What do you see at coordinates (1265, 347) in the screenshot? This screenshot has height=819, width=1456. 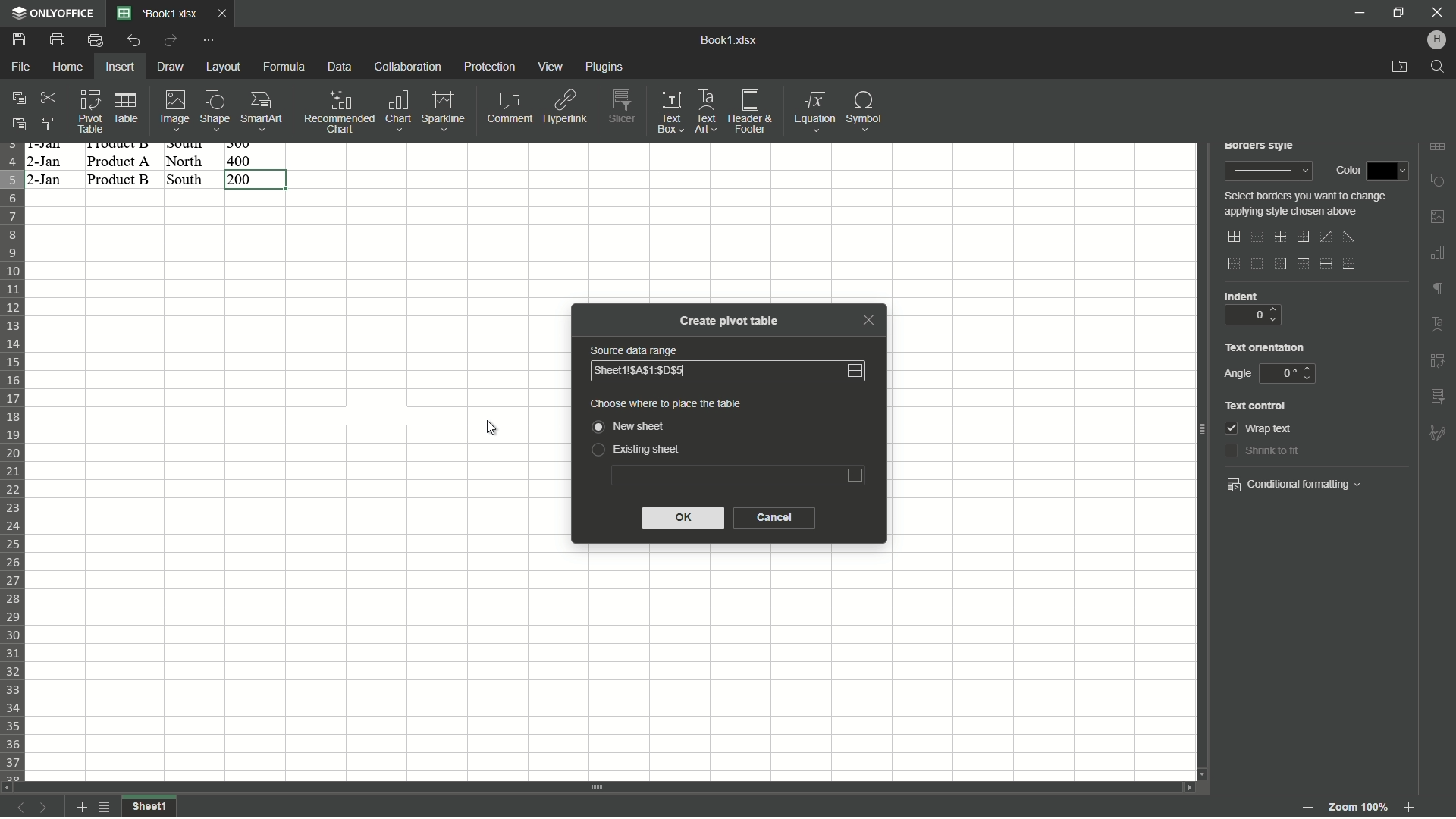 I see `text orientation` at bounding box center [1265, 347].